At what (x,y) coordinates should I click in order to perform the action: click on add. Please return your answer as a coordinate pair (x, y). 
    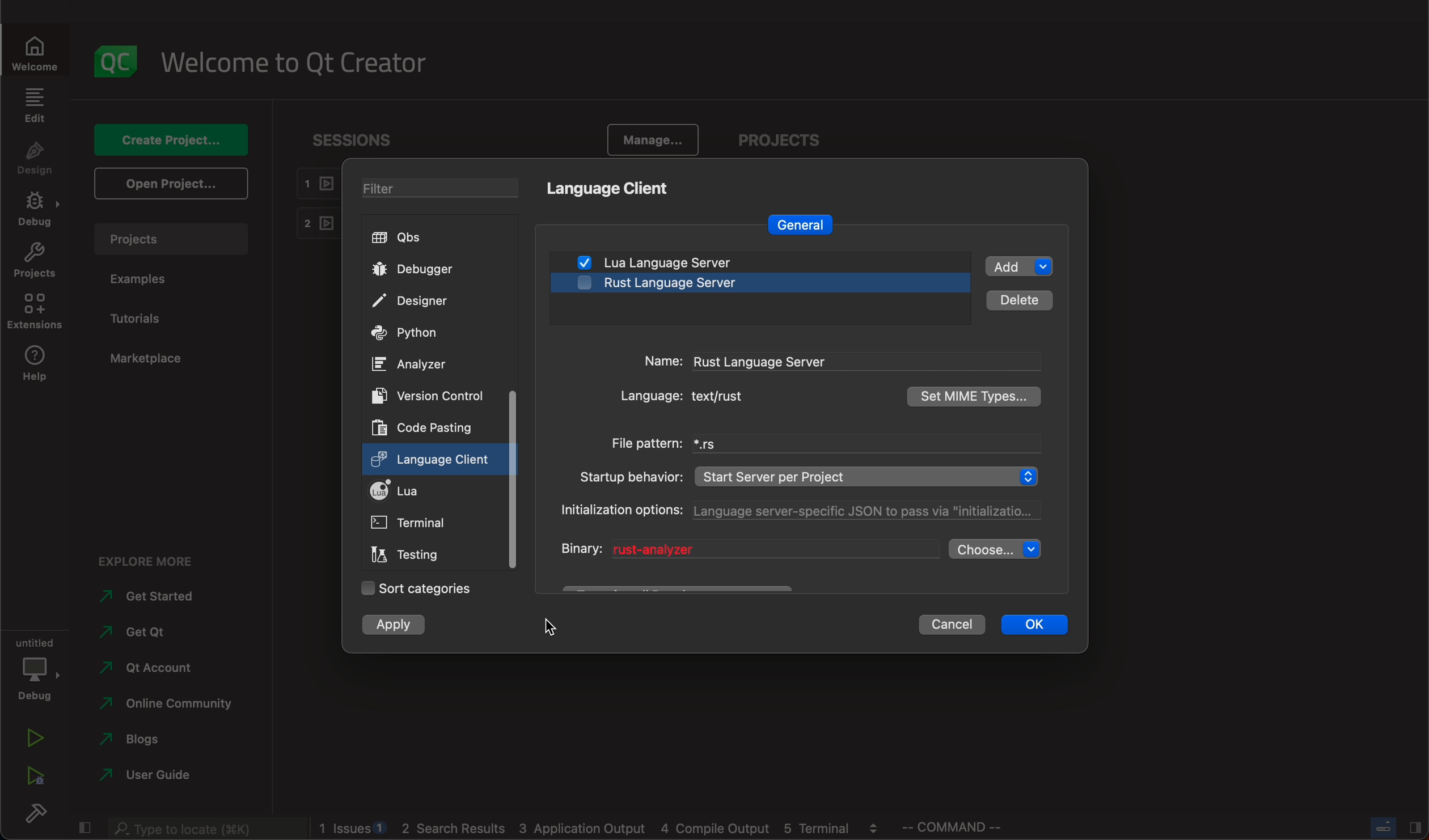
    Looking at the image, I should click on (1021, 266).